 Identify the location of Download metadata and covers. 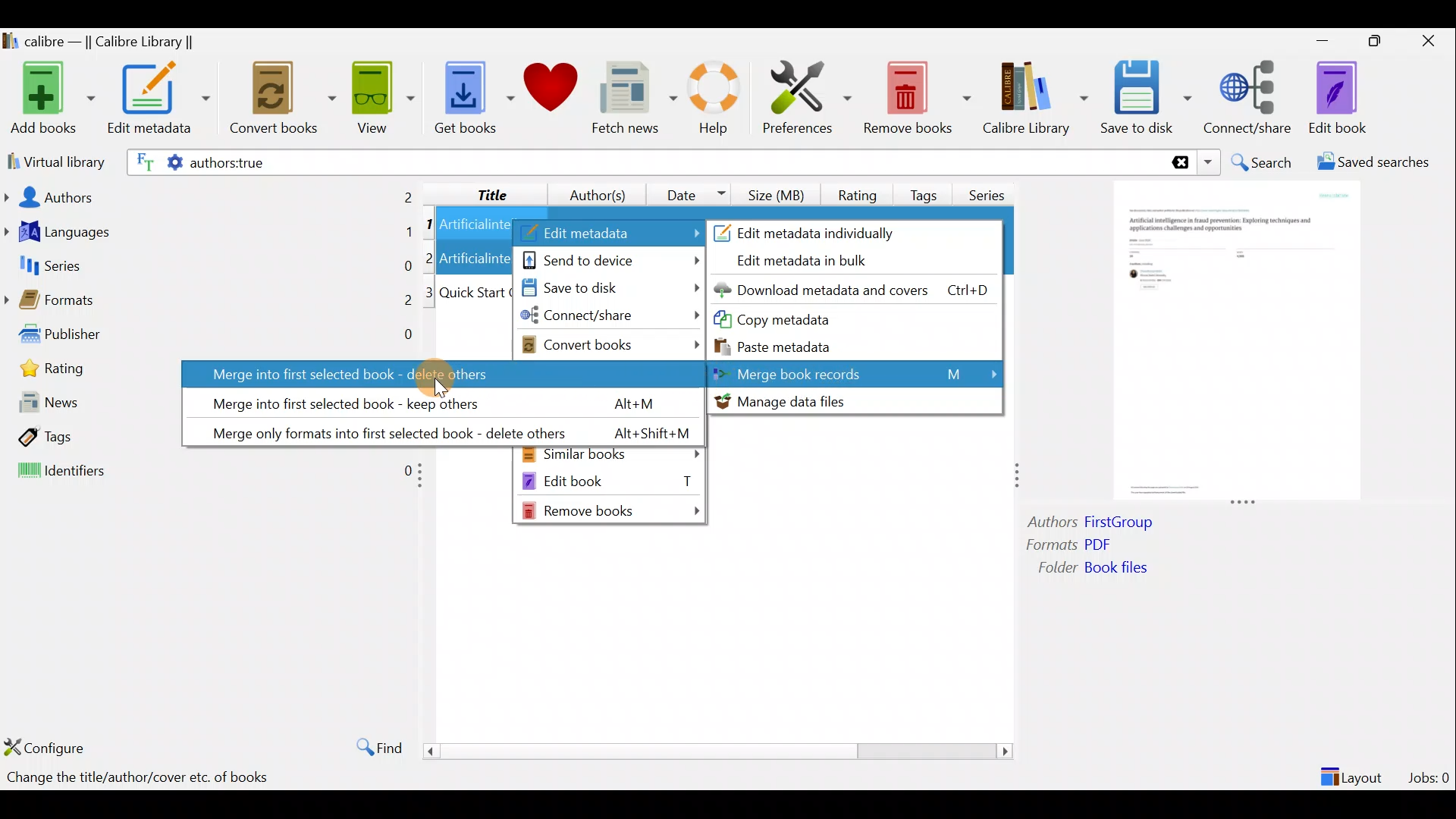
(858, 289).